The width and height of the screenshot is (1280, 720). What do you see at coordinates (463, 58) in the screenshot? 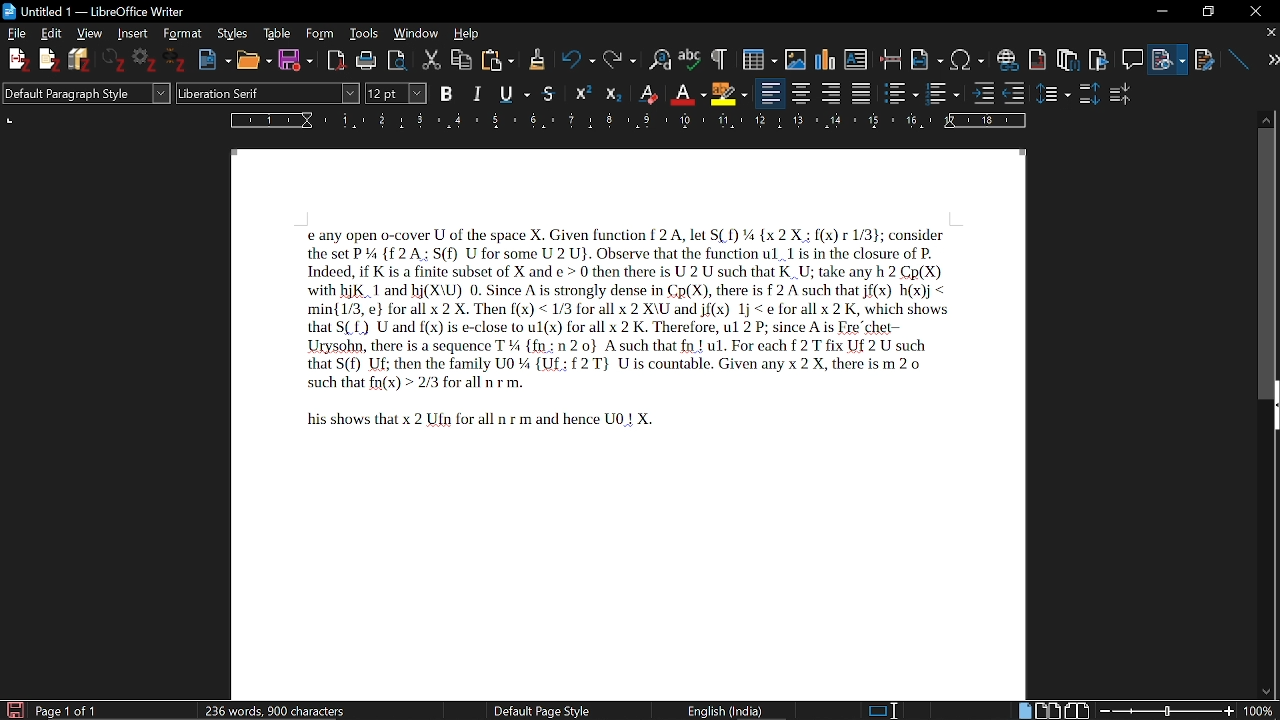
I see `Copy` at bounding box center [463, 58].